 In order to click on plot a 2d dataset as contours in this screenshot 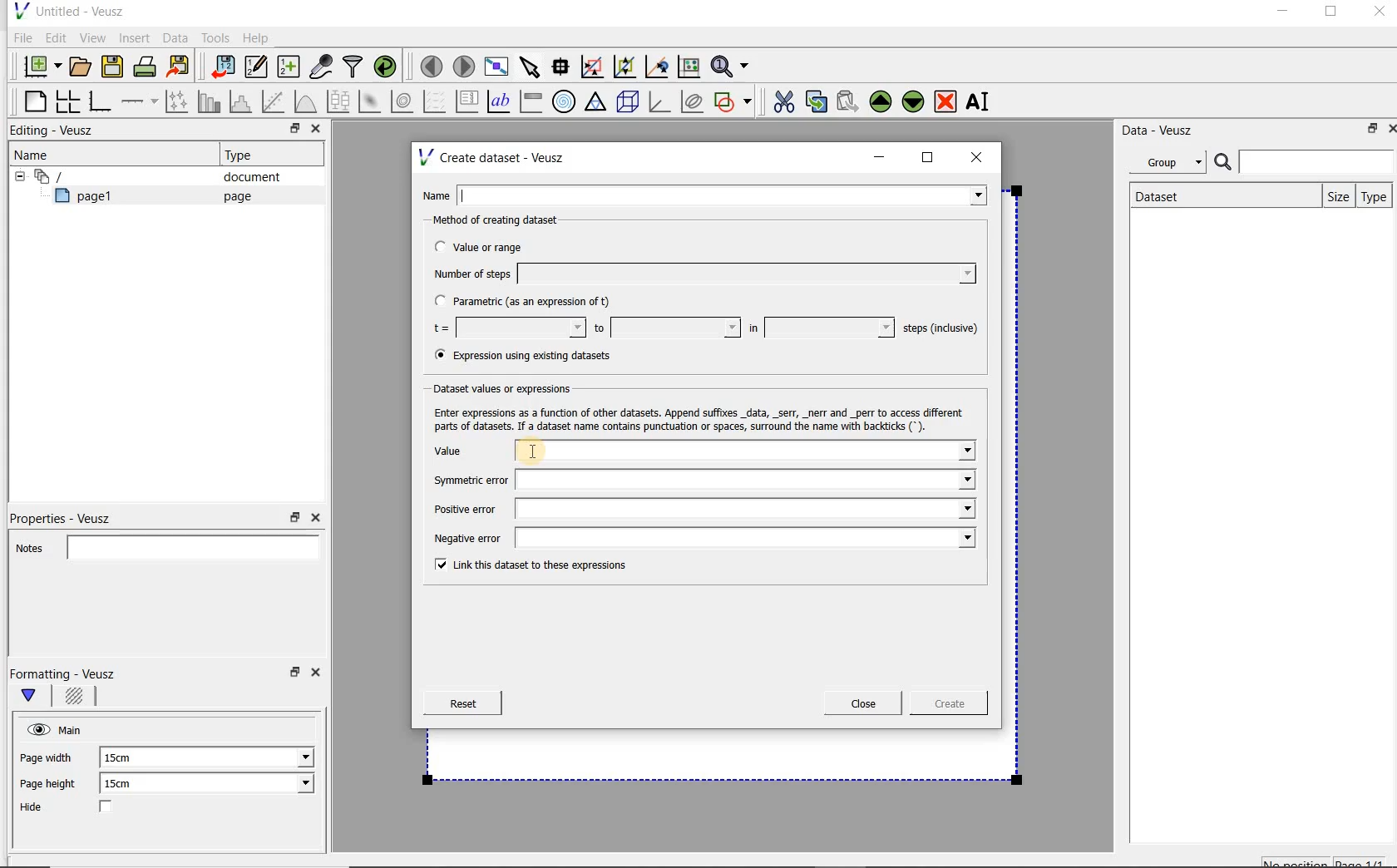, I will do `click(403, 101)`.